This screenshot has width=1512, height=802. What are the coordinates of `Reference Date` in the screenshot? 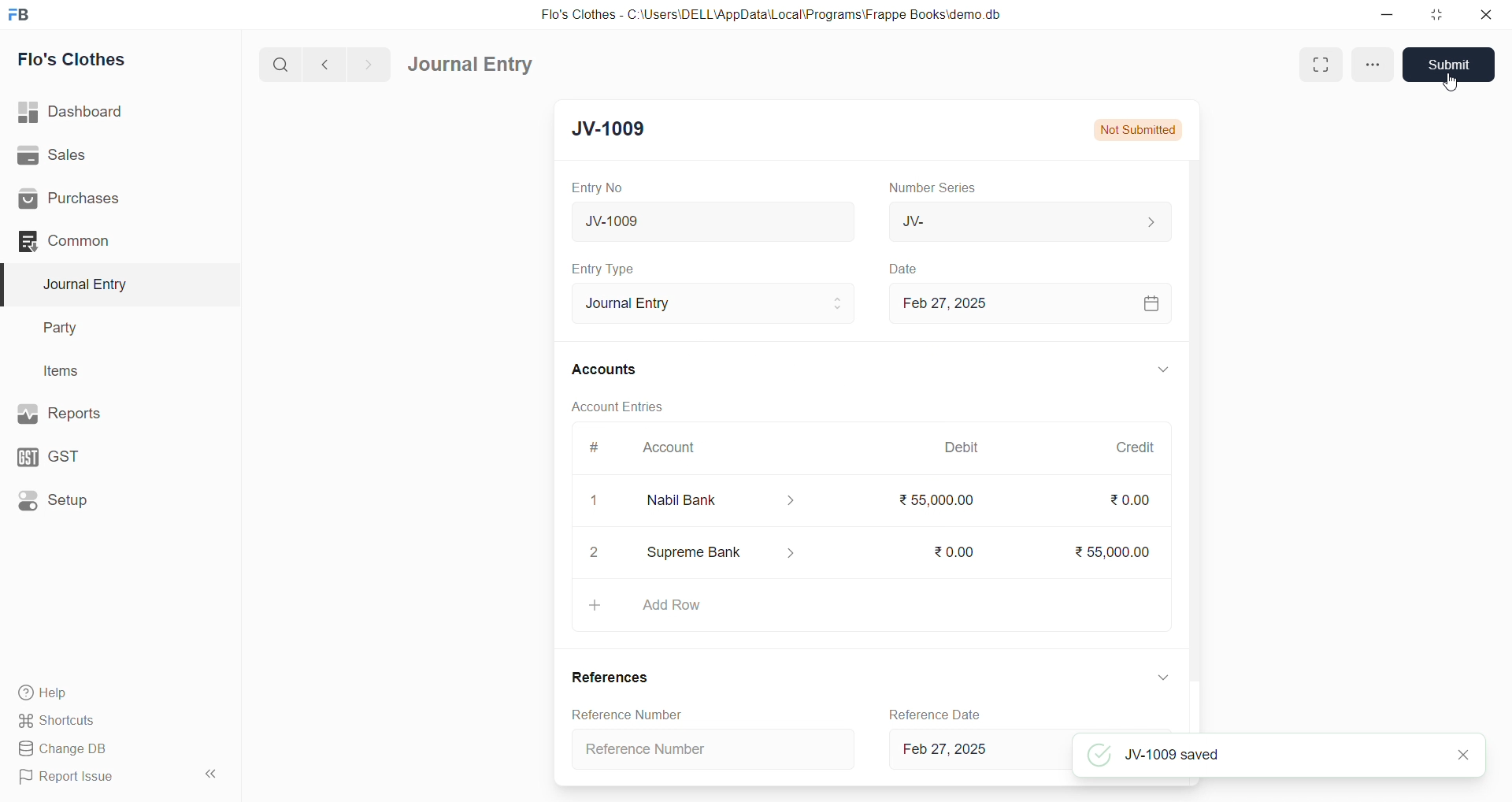 It's located at (935, 713).